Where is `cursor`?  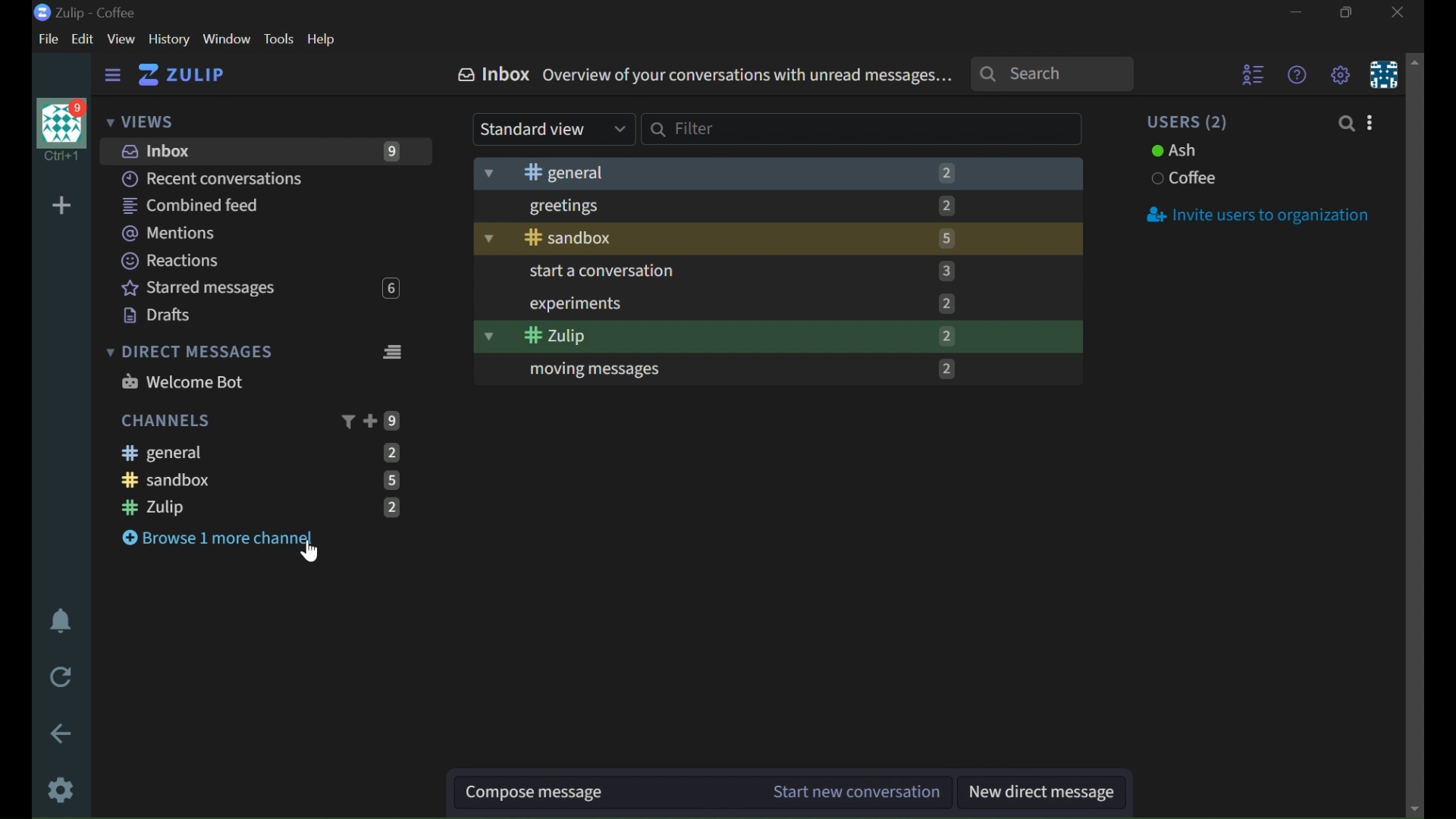
cursor is located at coordinates (308, 551).